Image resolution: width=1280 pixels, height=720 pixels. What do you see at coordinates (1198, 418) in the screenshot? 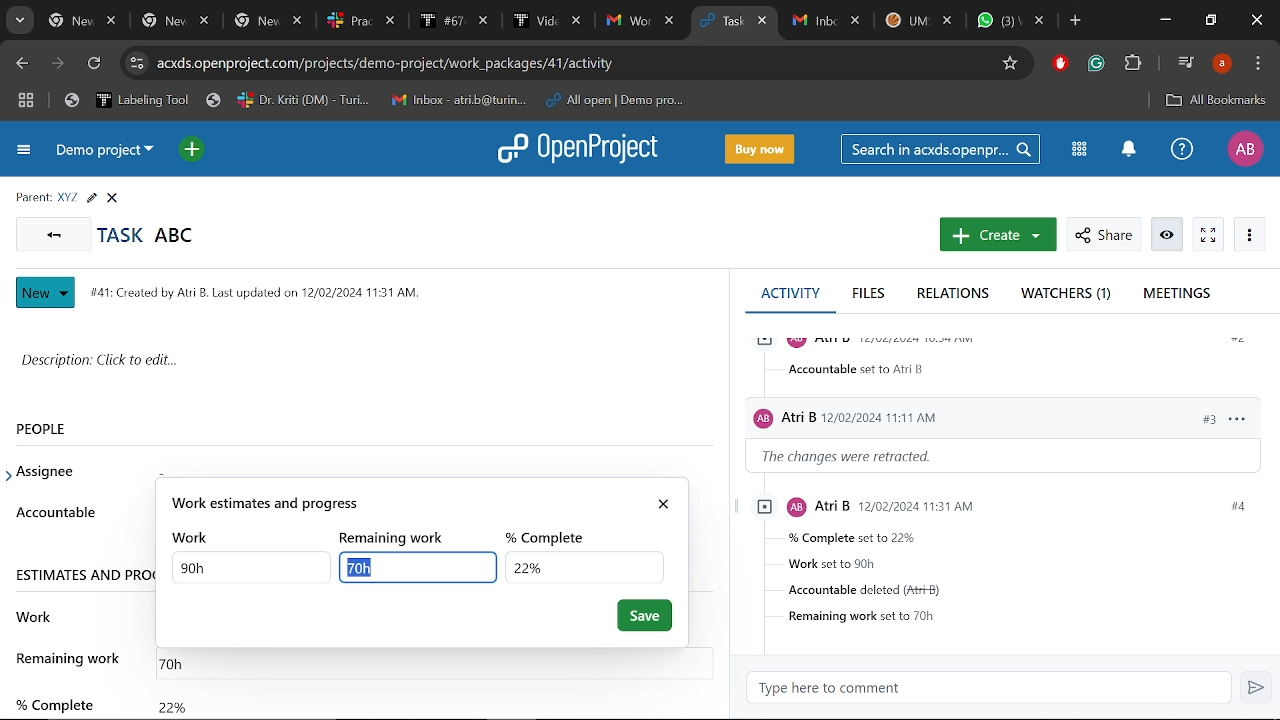
I see `#3` at bounding box center [1198, 418].